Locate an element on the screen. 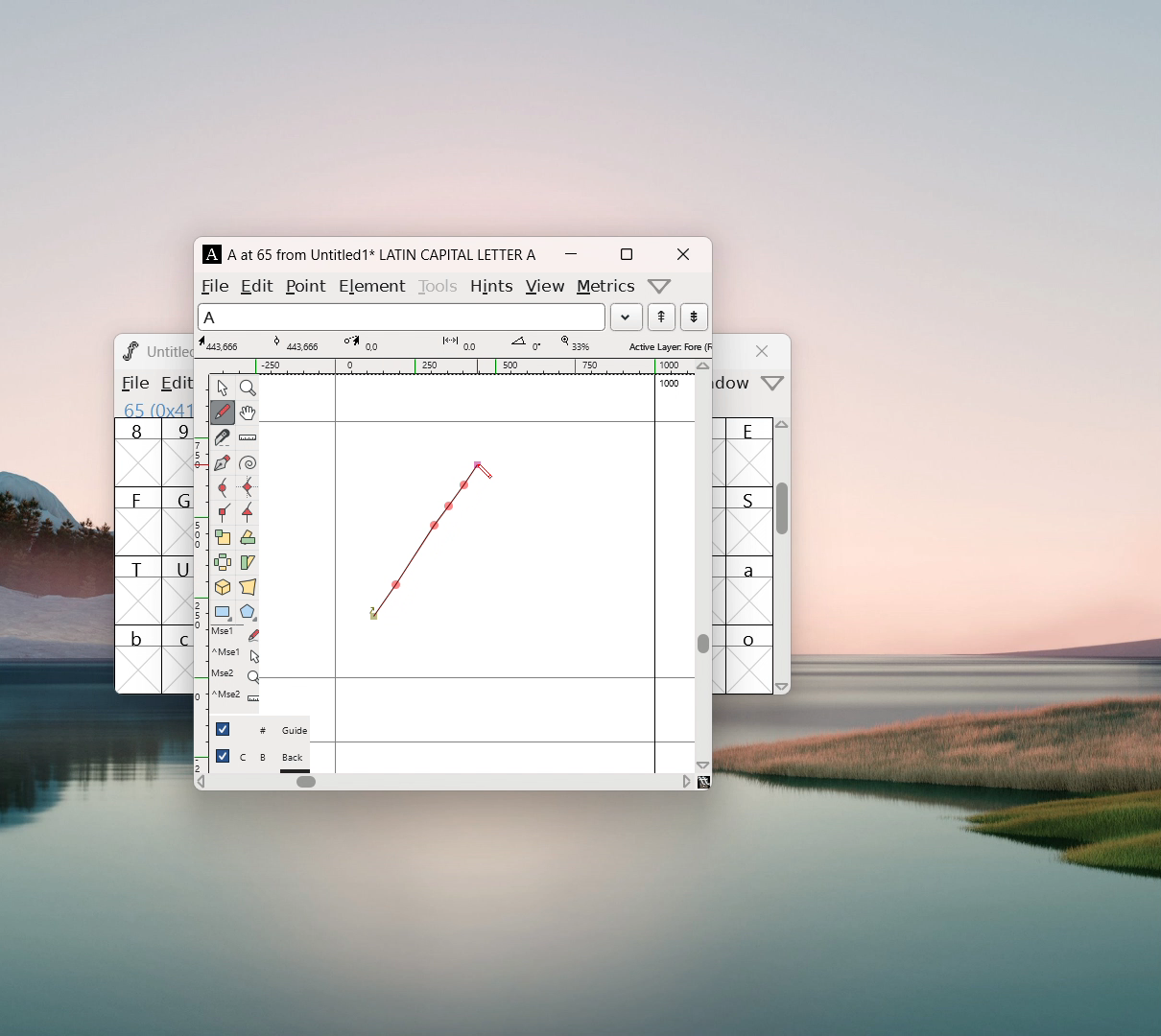 Image resolution: width=1161 pixels, height=1036 pixels. tools is located at coordinates (439, 284).